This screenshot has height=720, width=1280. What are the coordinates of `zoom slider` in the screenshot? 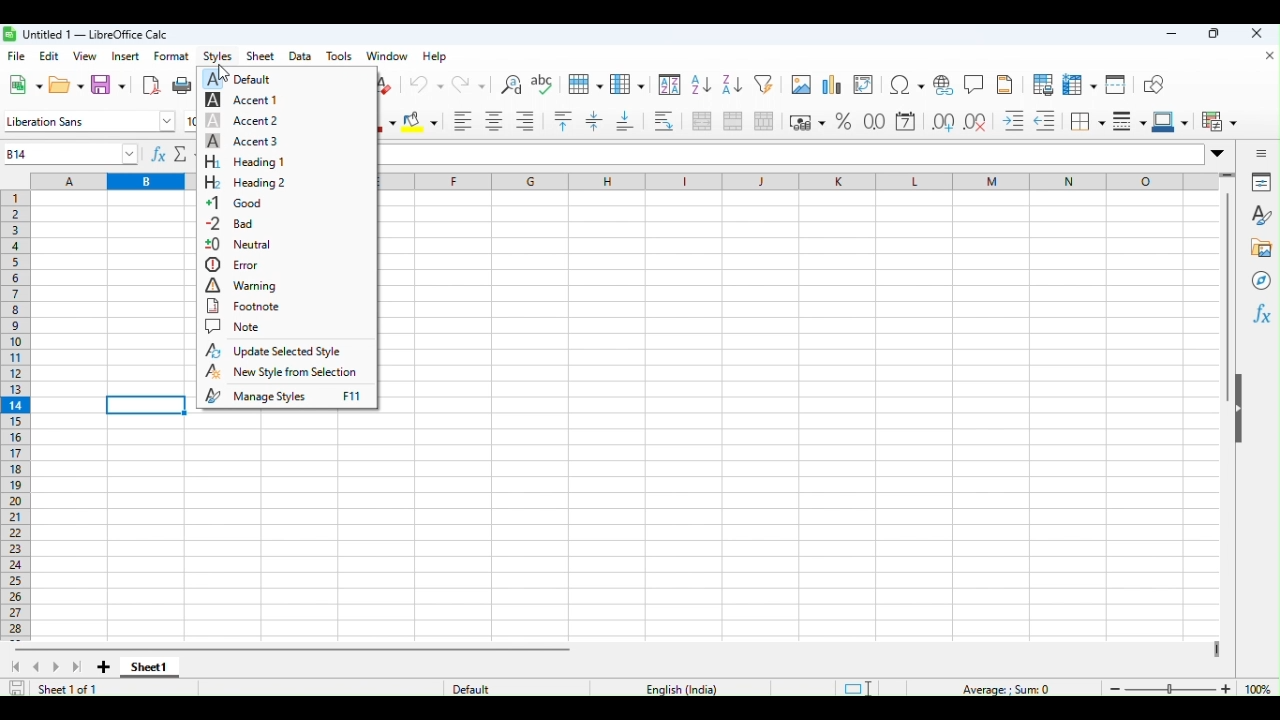 It's located at (1167, 688).